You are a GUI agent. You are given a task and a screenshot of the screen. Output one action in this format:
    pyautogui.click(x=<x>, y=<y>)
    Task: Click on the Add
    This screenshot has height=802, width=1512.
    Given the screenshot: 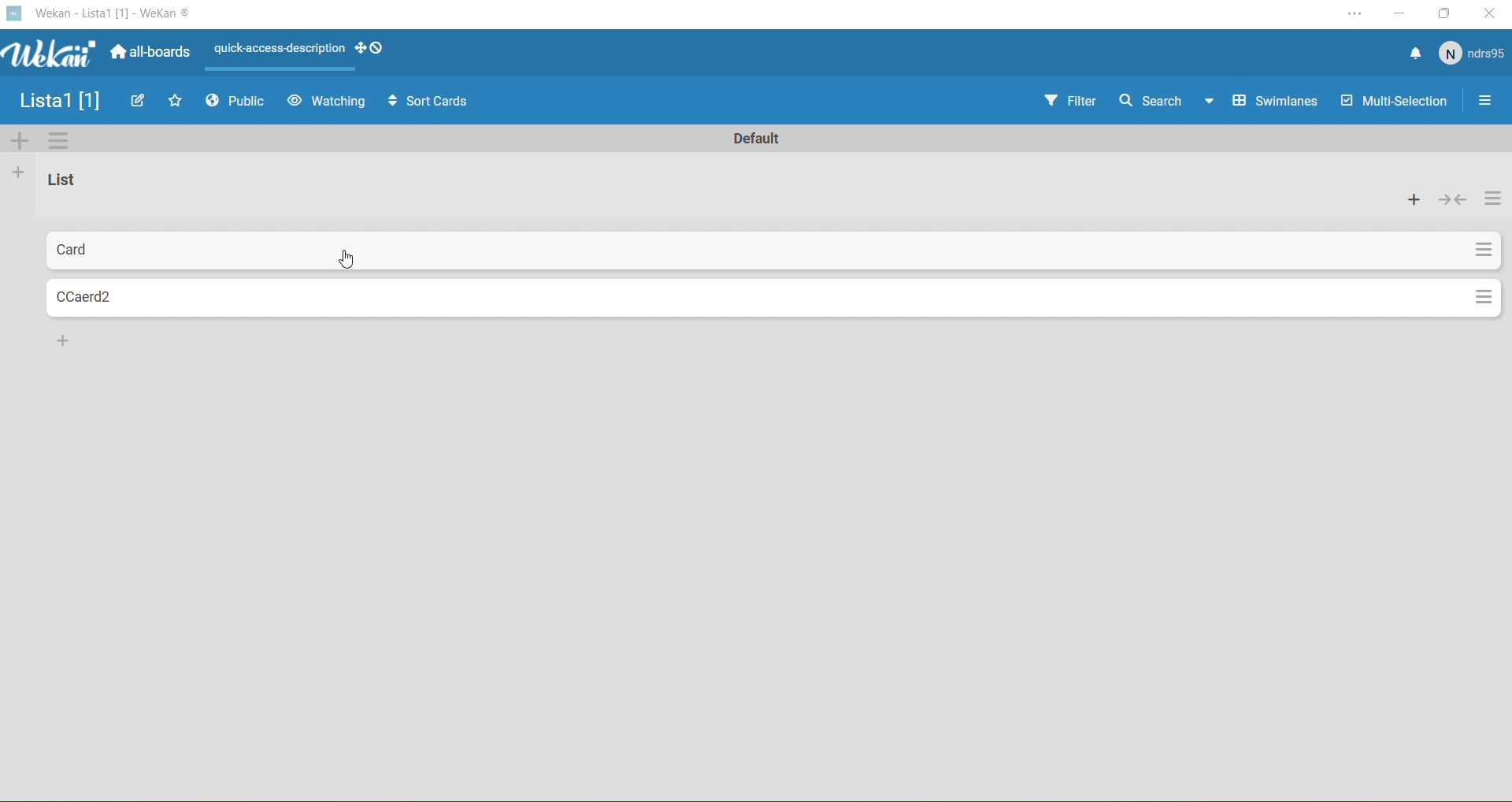 What is the action you would take?
    pyautogui.click(x=22, y=144)
    